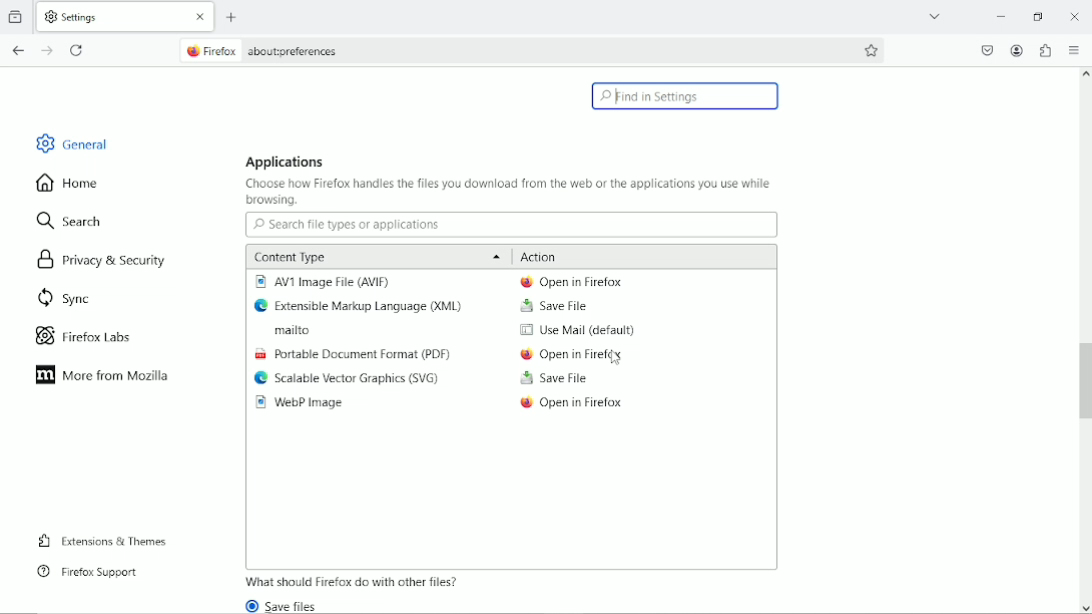 This screenshot has width=1092, height=614. Describe the element at coordinates (76, 182) in the screenshot. I see `Home` at that location.